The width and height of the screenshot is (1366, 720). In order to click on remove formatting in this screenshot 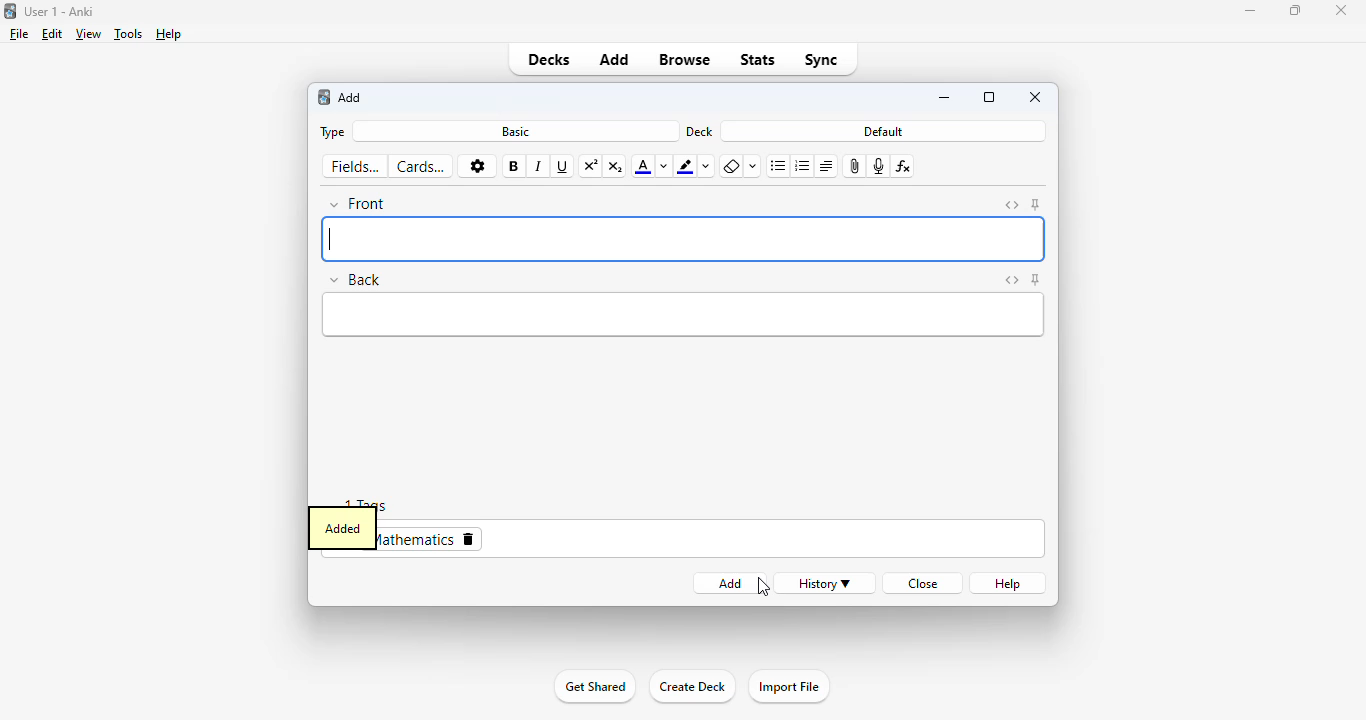, I will do `click(732, 167)`.